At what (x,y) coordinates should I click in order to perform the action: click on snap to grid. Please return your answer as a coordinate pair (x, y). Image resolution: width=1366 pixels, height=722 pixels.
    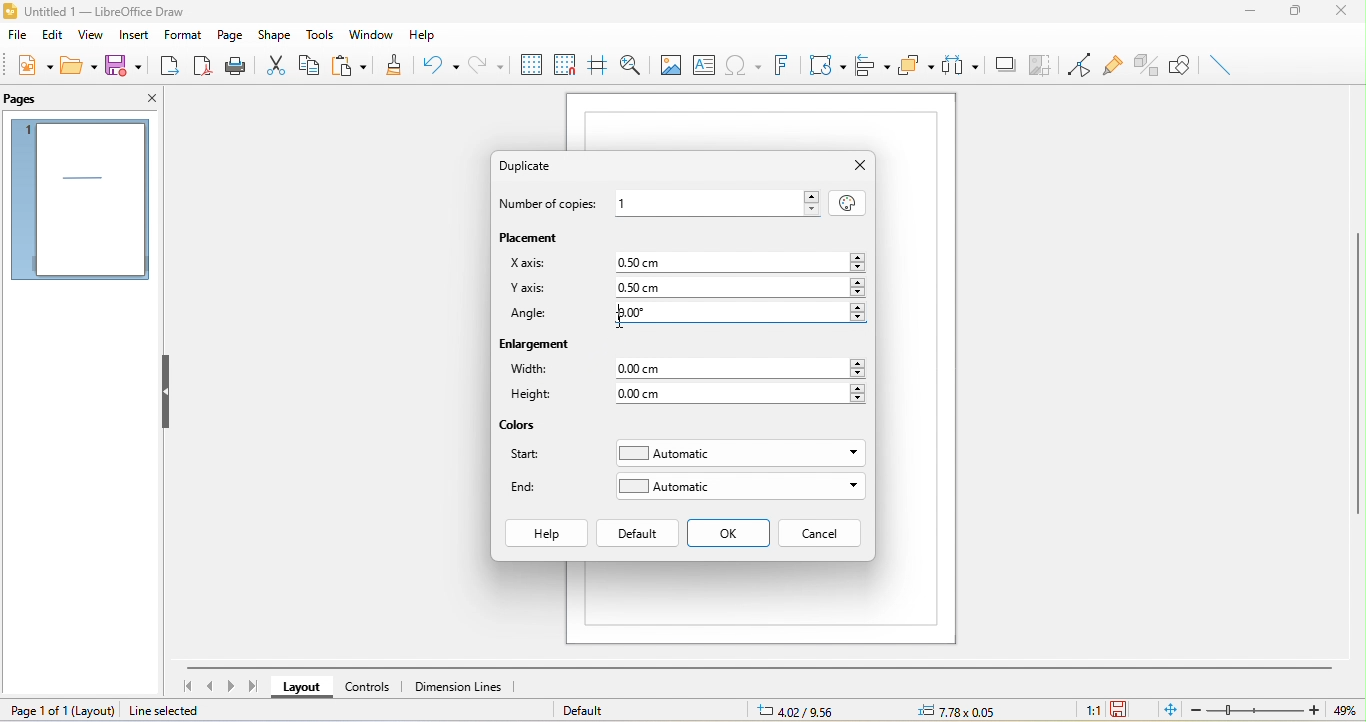
    Looking at the image, I should click on (564, 62).